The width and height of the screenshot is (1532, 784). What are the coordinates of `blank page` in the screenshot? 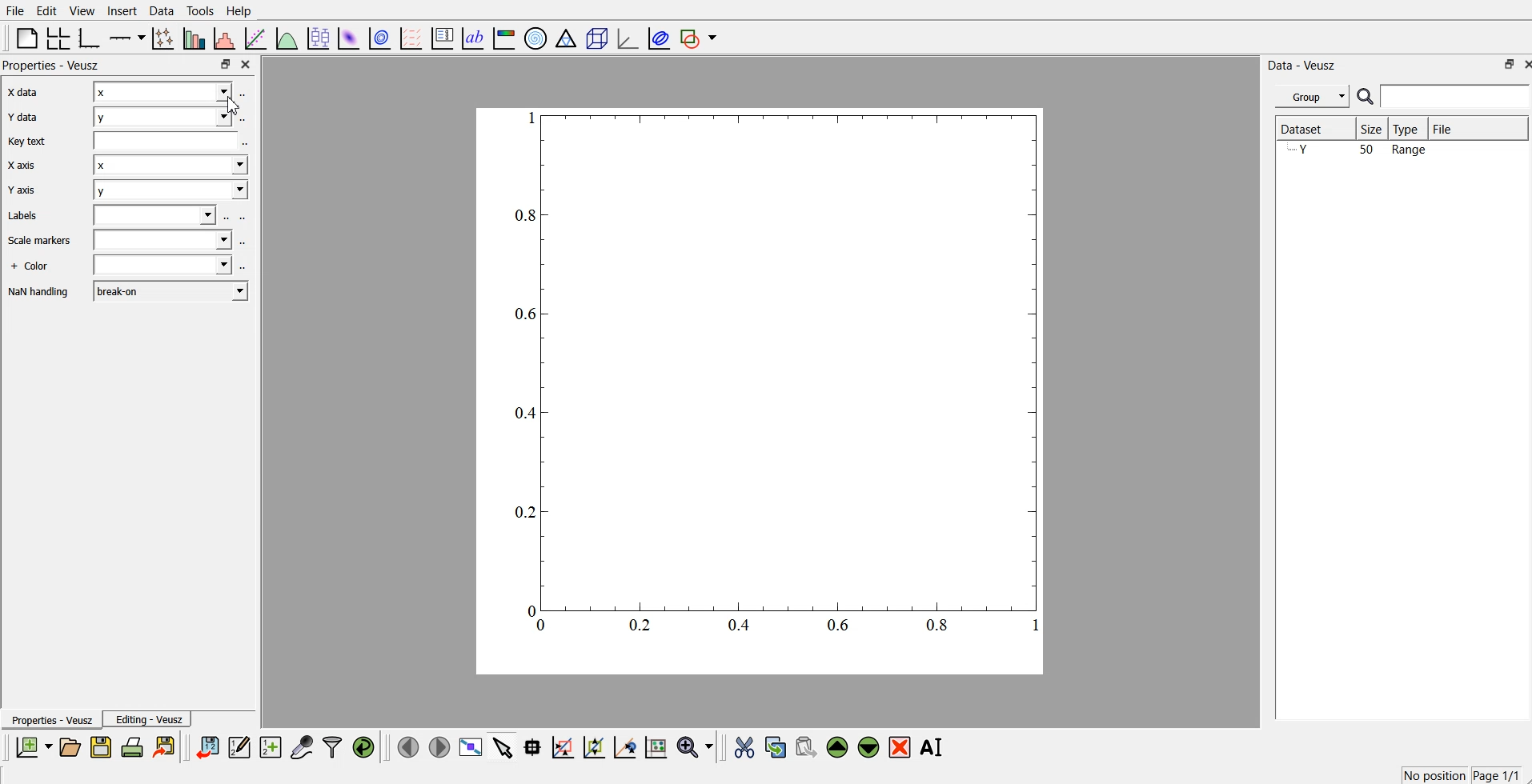 It's located at (24, 38).